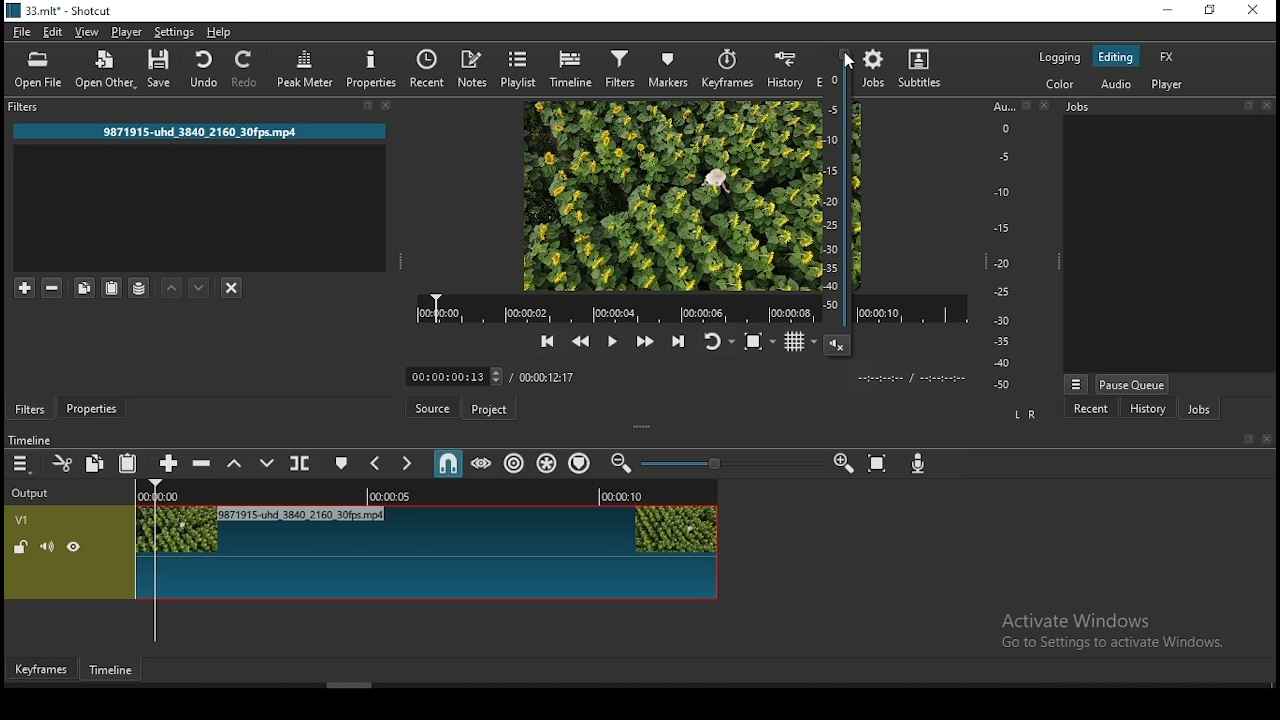  What do you see at coordinates (1077, 382) in the screenshot?
I see `view more` at bounding box center [1077, 382].